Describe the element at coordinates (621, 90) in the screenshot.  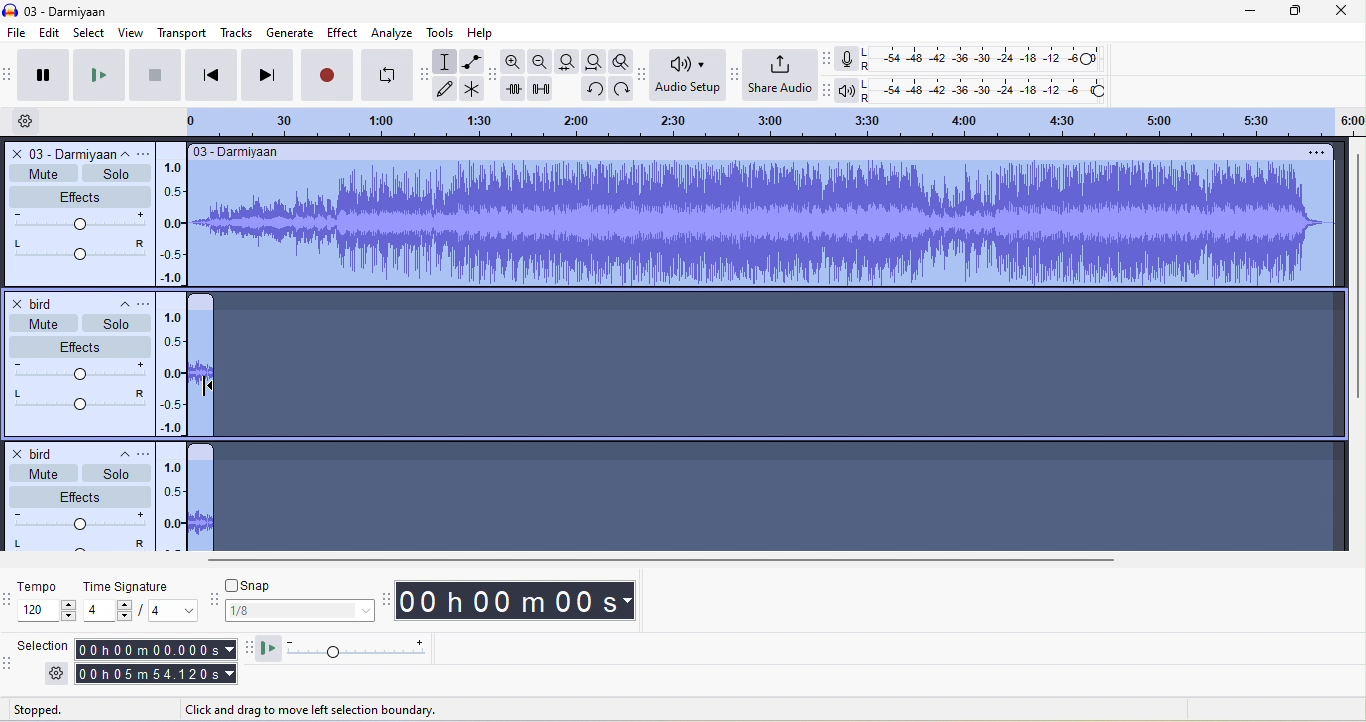
I see `redo` at that location.